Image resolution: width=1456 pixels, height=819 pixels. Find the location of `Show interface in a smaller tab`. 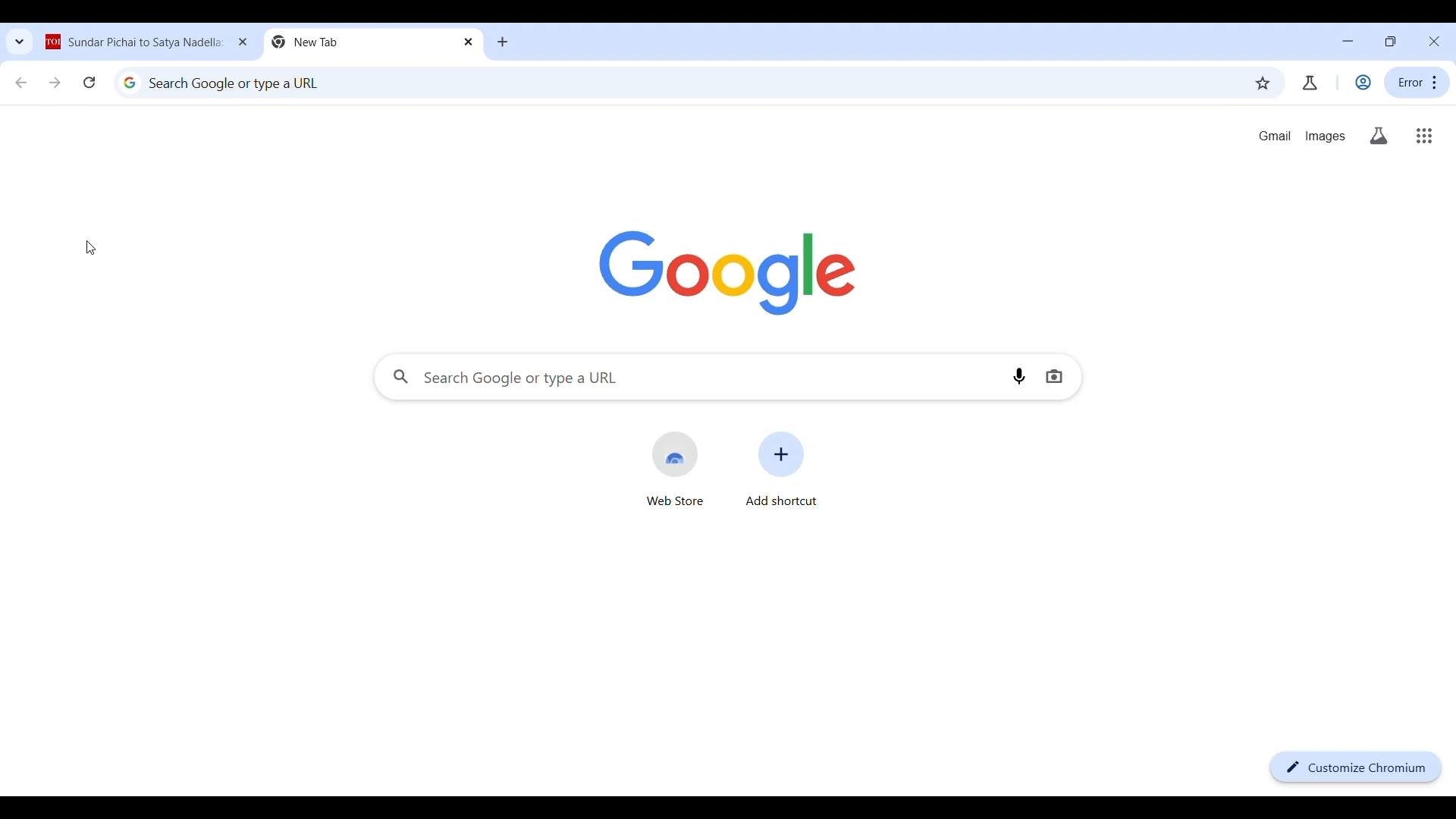

Show interface in a smaller tab is located at coordinates (1390, 41).